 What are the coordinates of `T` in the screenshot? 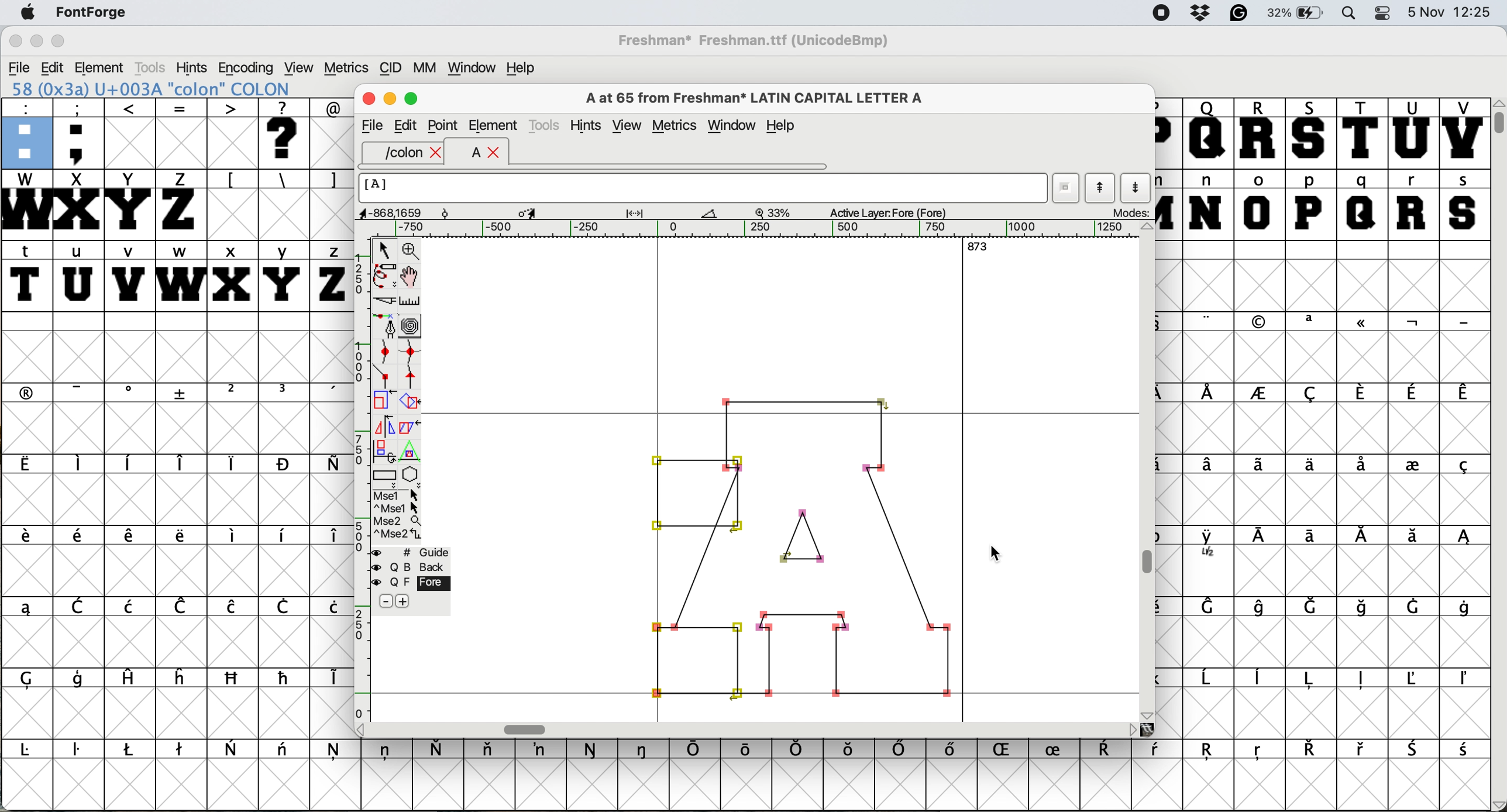 It's located at (1360, 132).